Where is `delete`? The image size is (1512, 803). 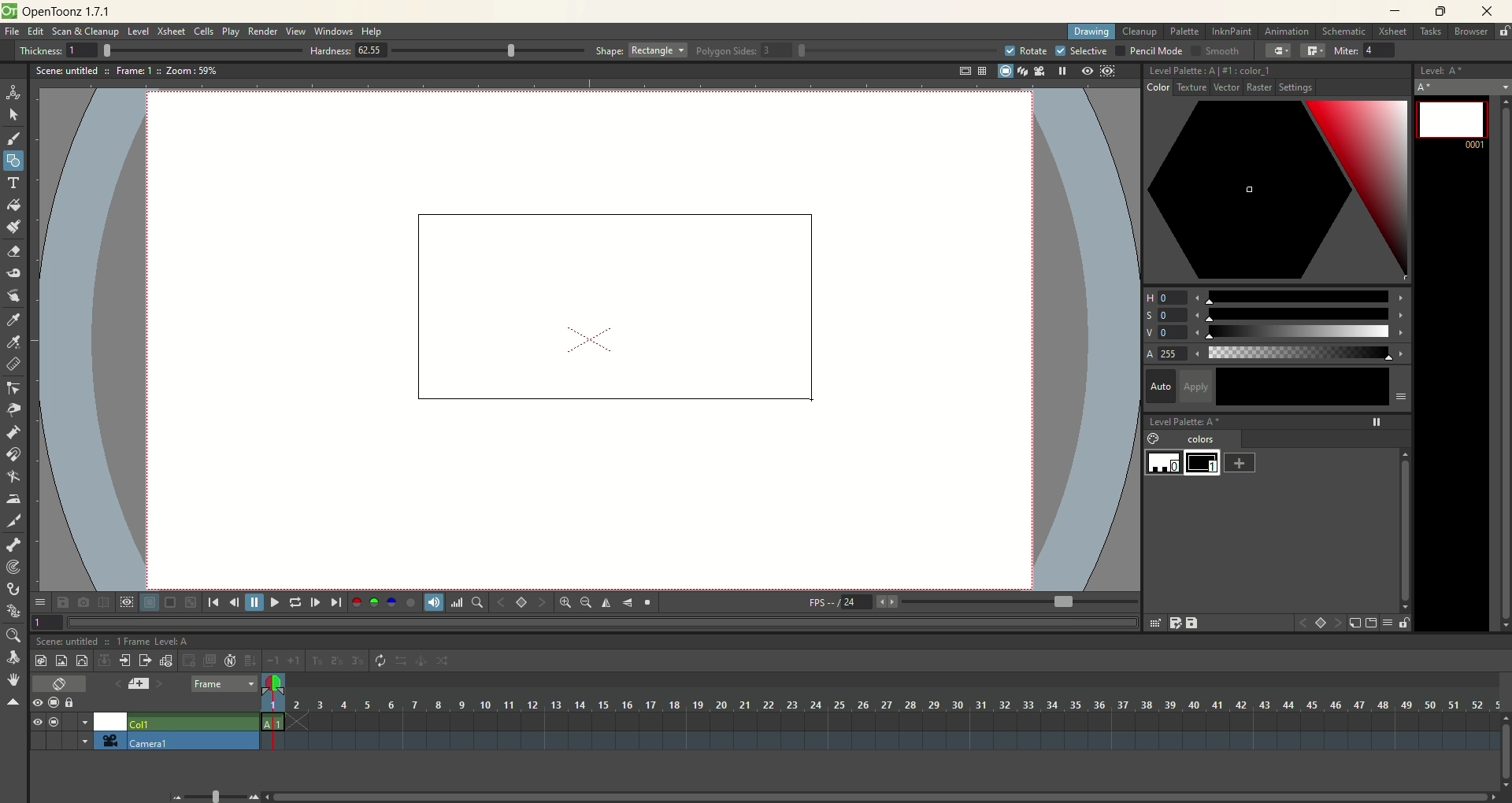
delete is located at coordinates (1154, 623).